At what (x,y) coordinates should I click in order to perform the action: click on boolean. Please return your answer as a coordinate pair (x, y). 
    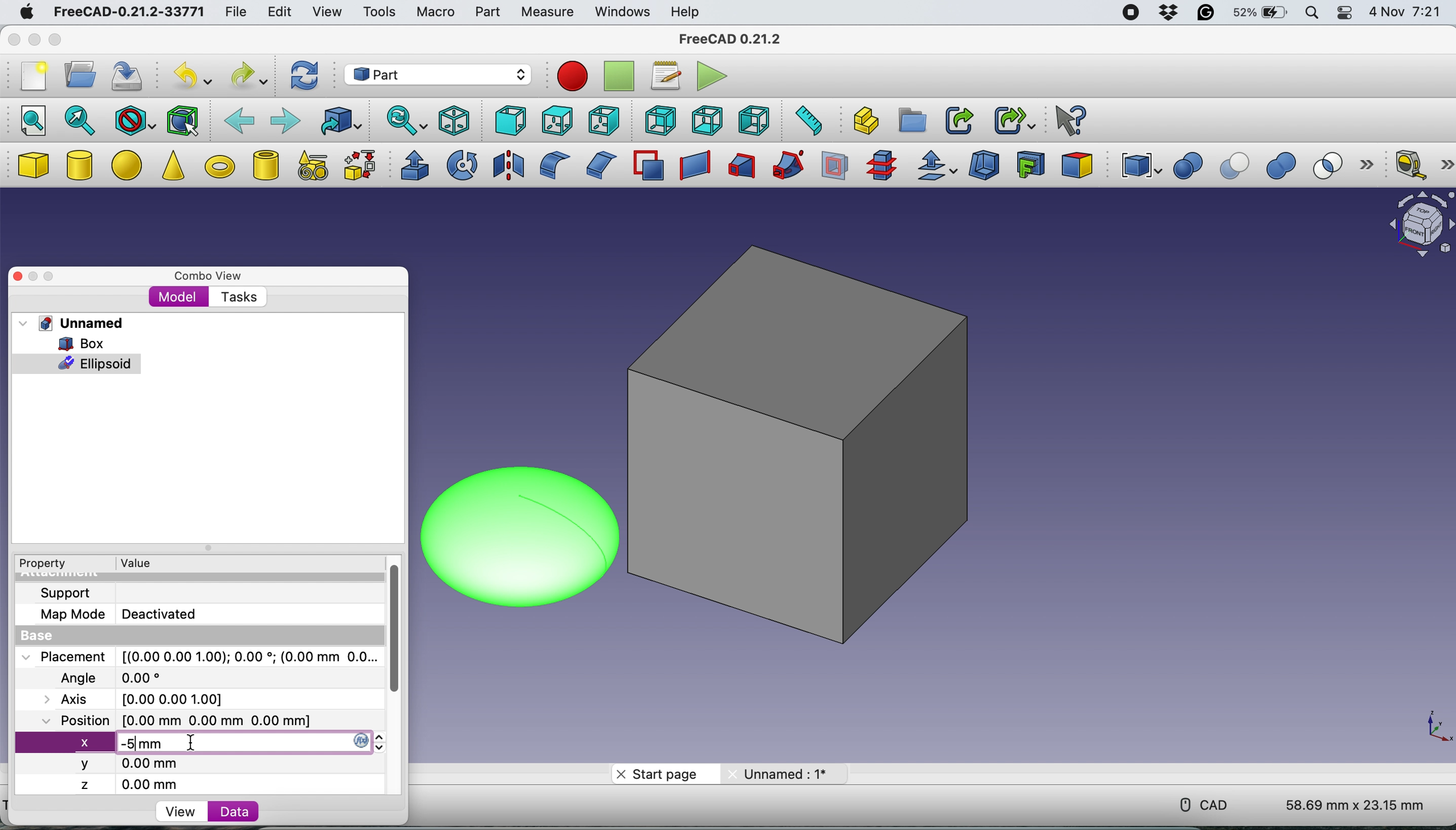
    Looking at the image, I should click on (1188, 166).